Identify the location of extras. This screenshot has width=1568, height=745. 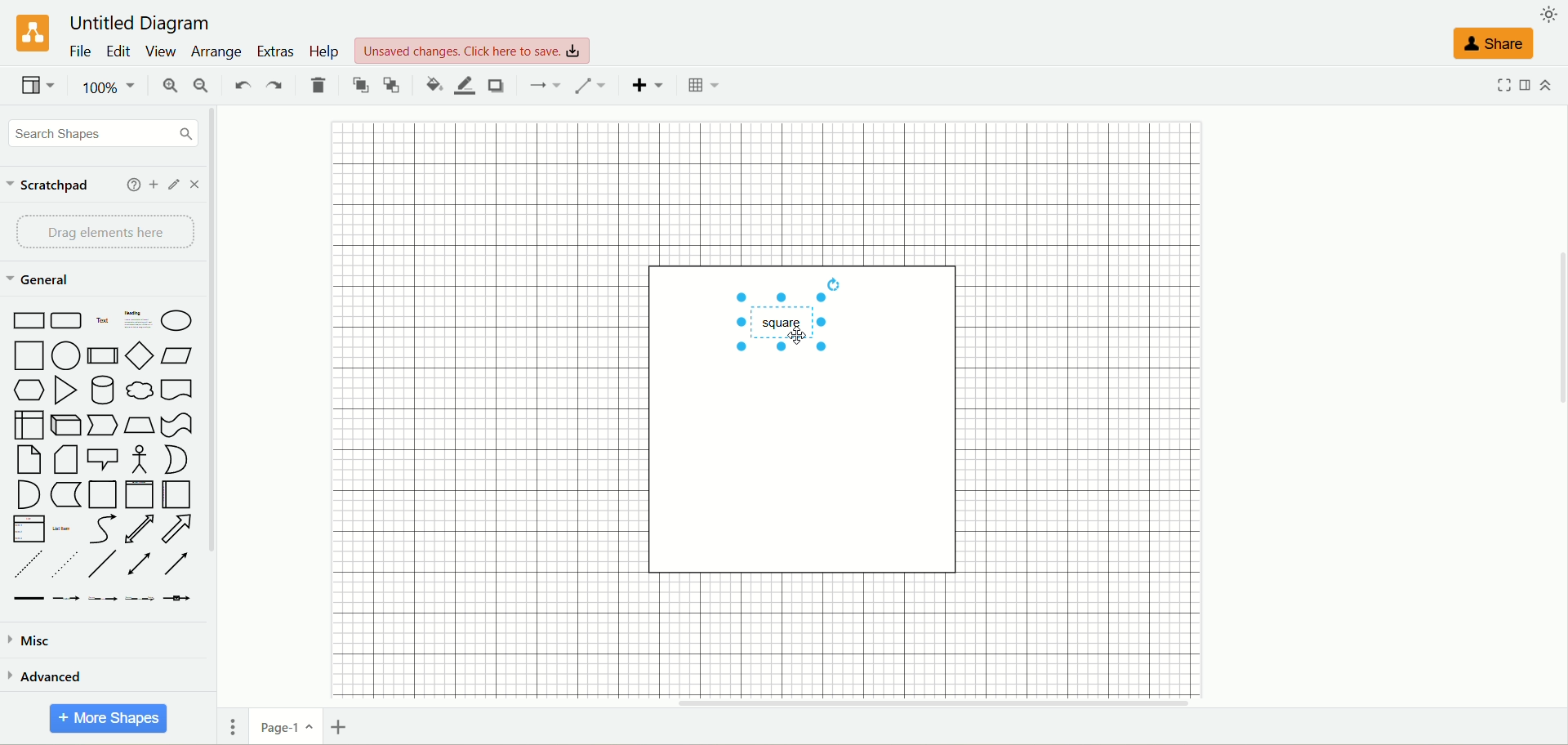
(276, 52).